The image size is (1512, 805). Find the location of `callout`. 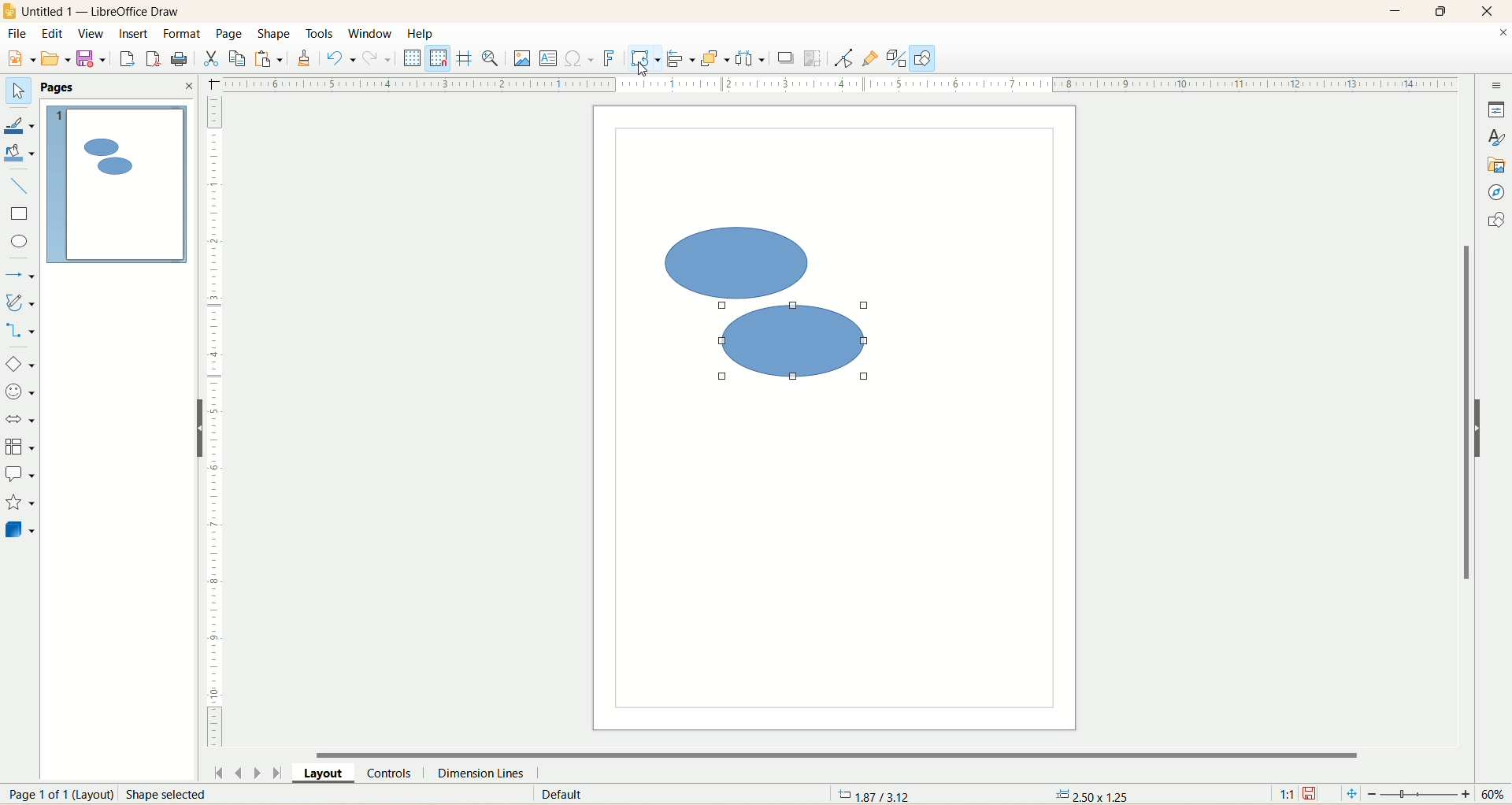

callout is located at coordinates (19, 475).